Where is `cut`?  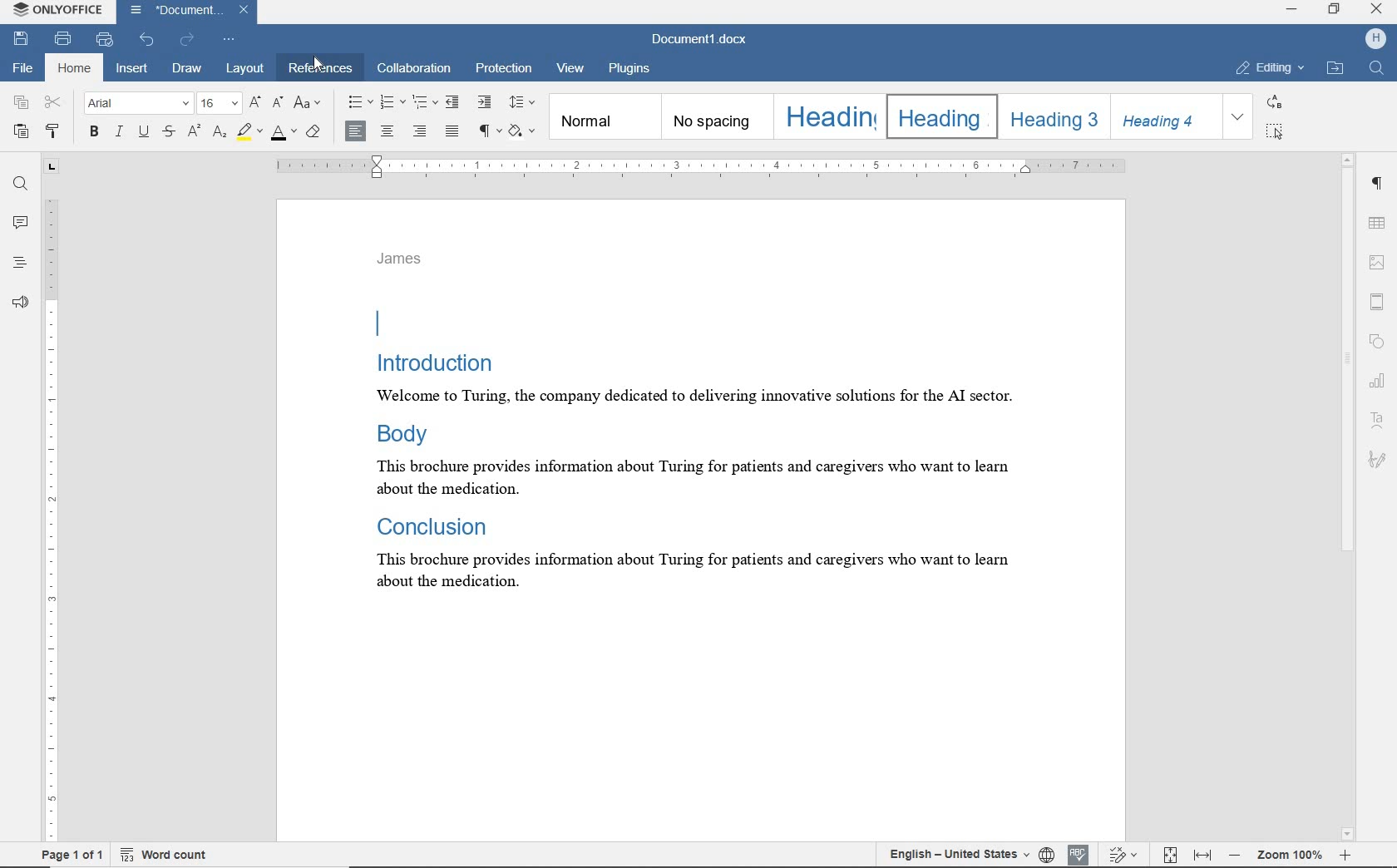 cut is located at coordinates (52, 104).